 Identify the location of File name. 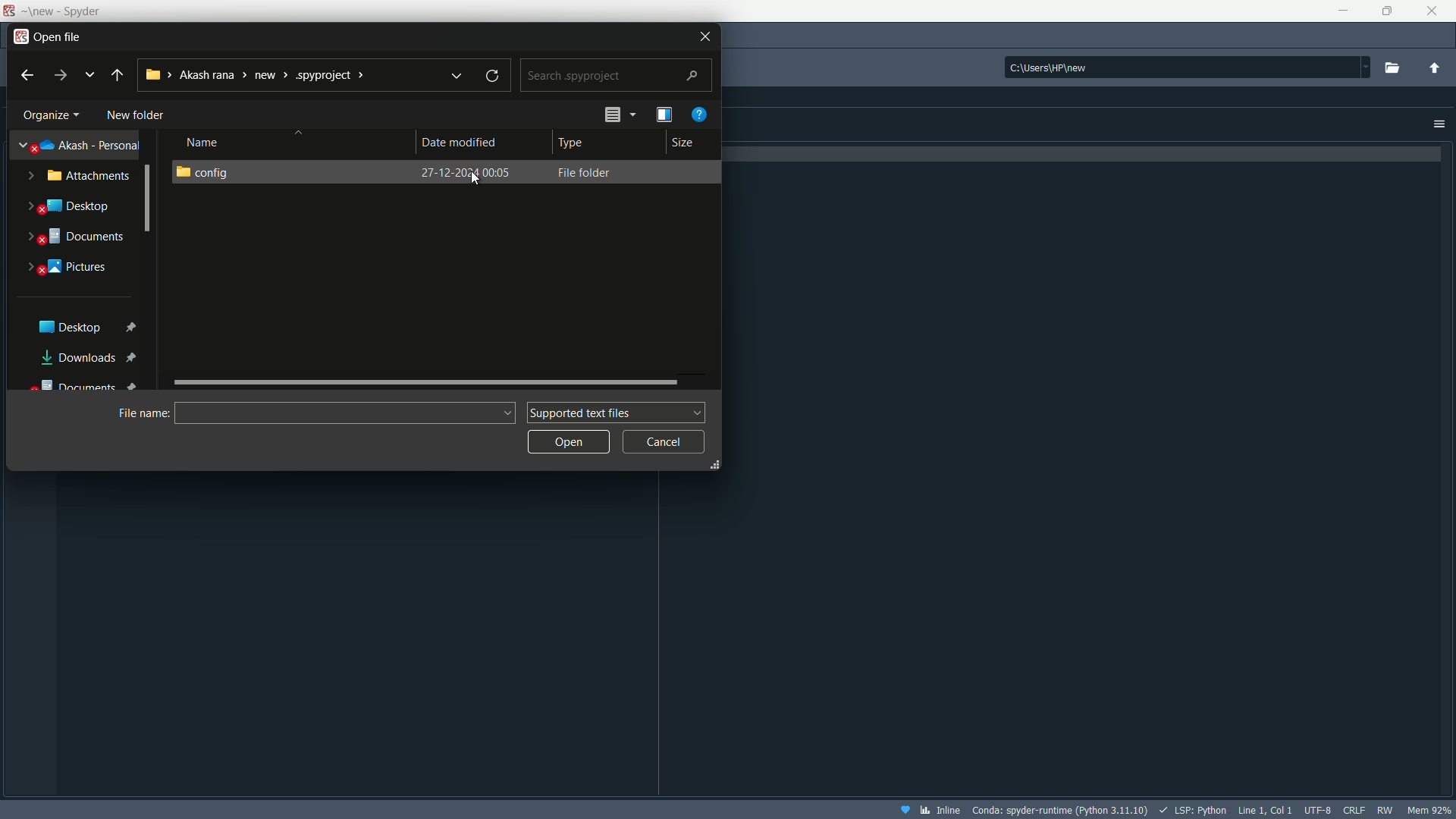
(143, 413).